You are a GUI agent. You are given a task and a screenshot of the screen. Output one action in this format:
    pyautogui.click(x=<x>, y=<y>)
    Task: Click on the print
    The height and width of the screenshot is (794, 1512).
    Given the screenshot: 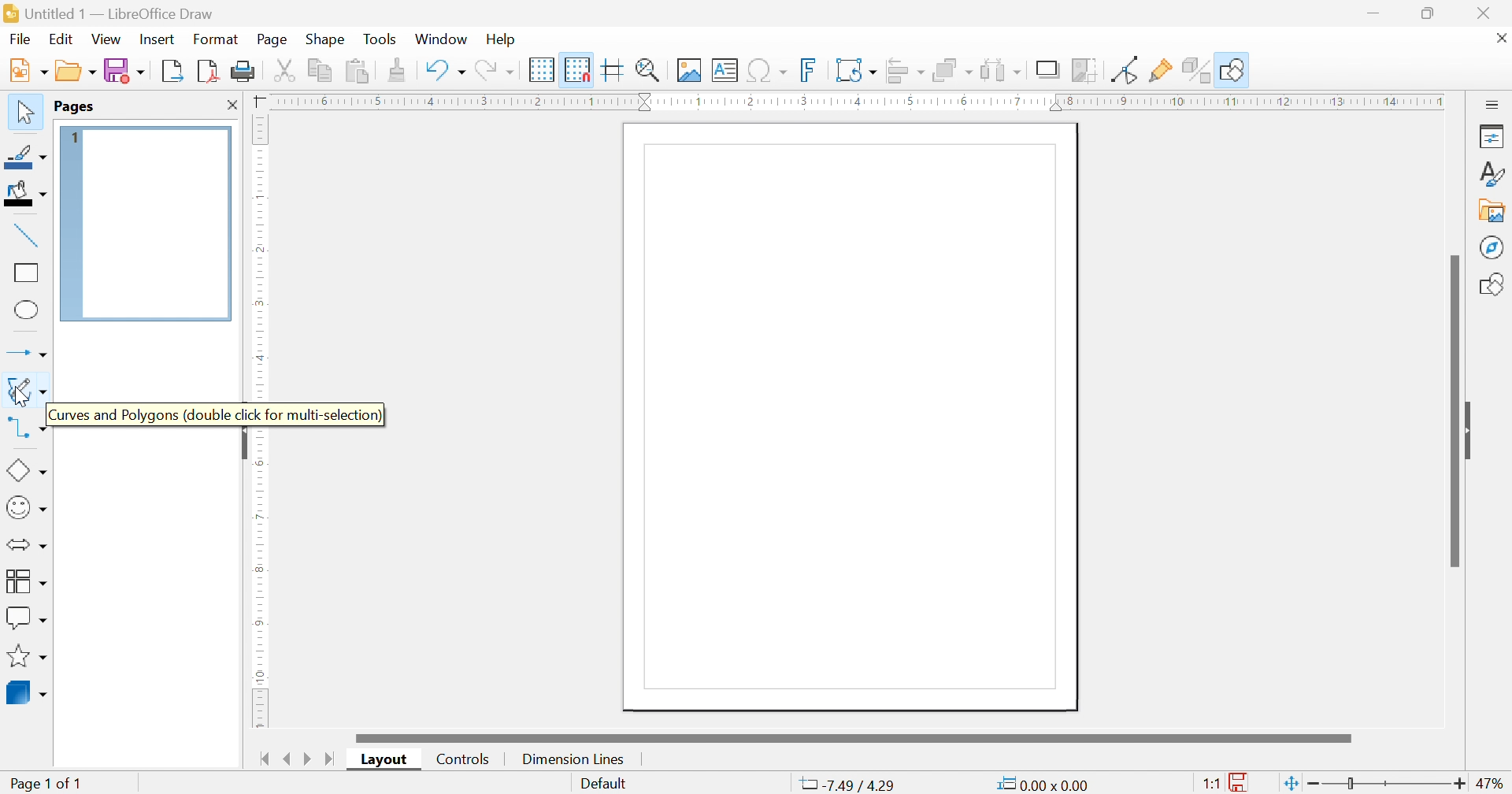 What is the action you would take?
    pyautogui.click(x=245, y=72)
    